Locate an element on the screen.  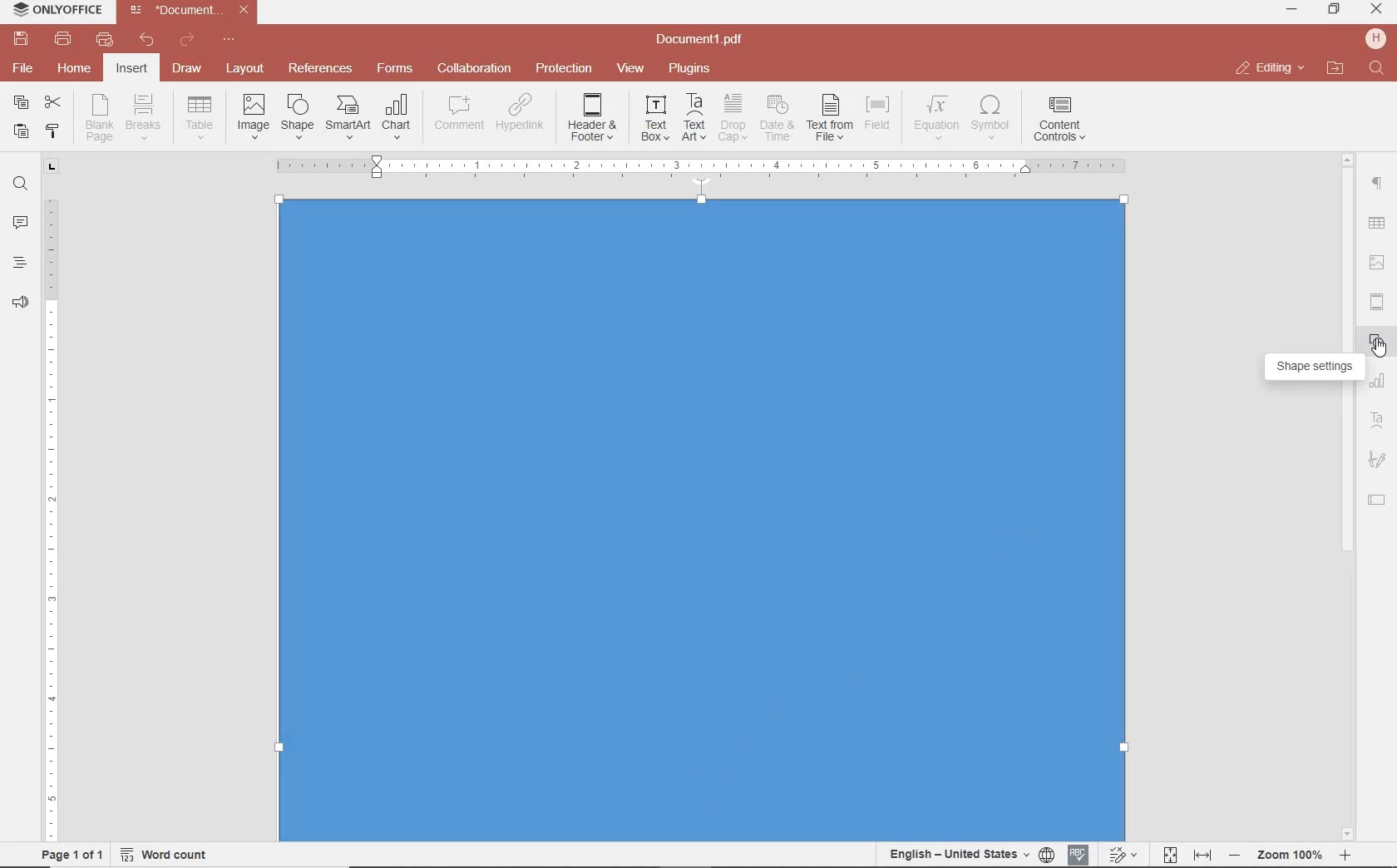
page 1 of 1 is located at coordinates (69, 853).